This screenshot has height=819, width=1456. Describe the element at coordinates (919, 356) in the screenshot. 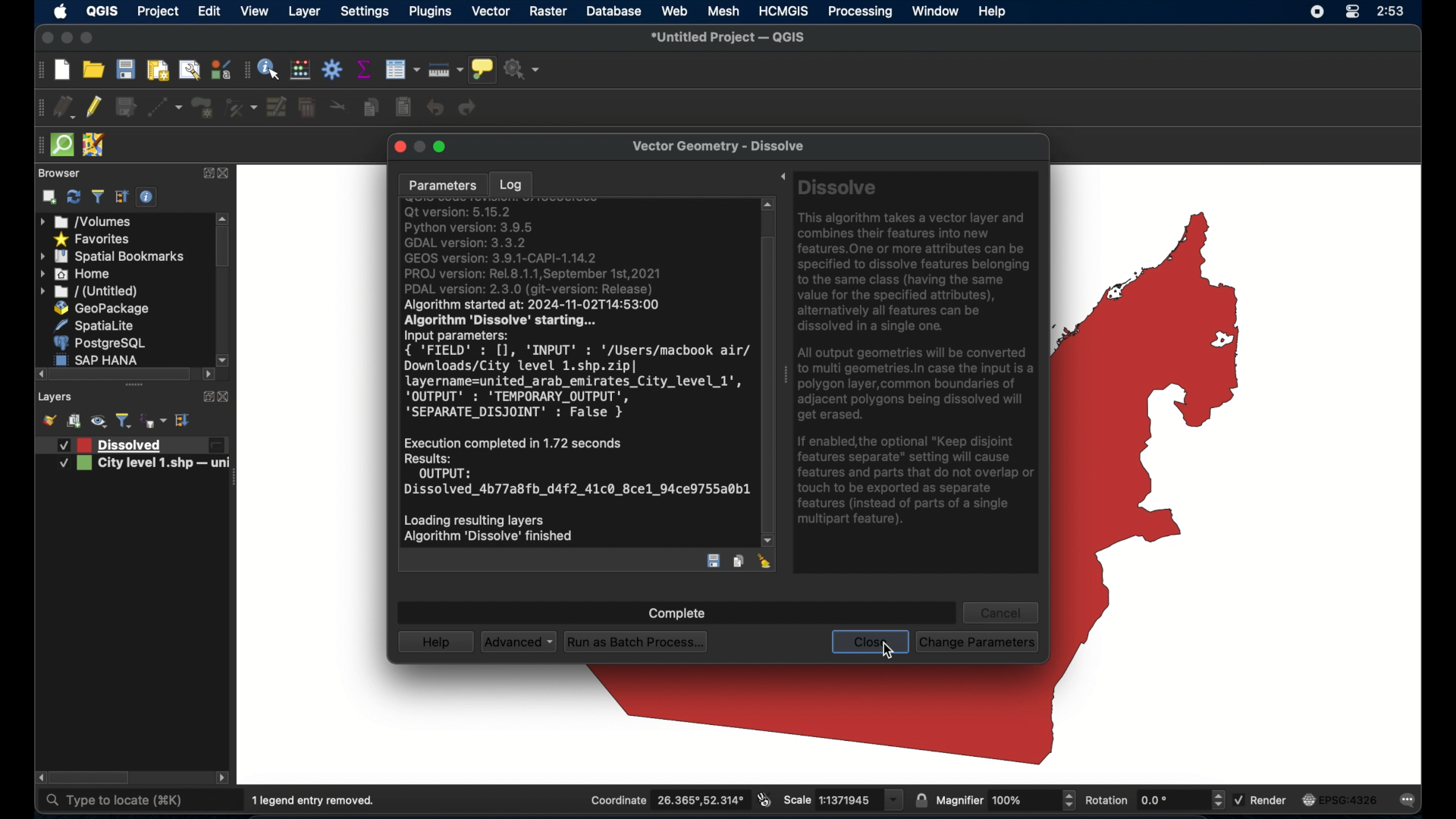

I see `dissolve tool info` at that location.